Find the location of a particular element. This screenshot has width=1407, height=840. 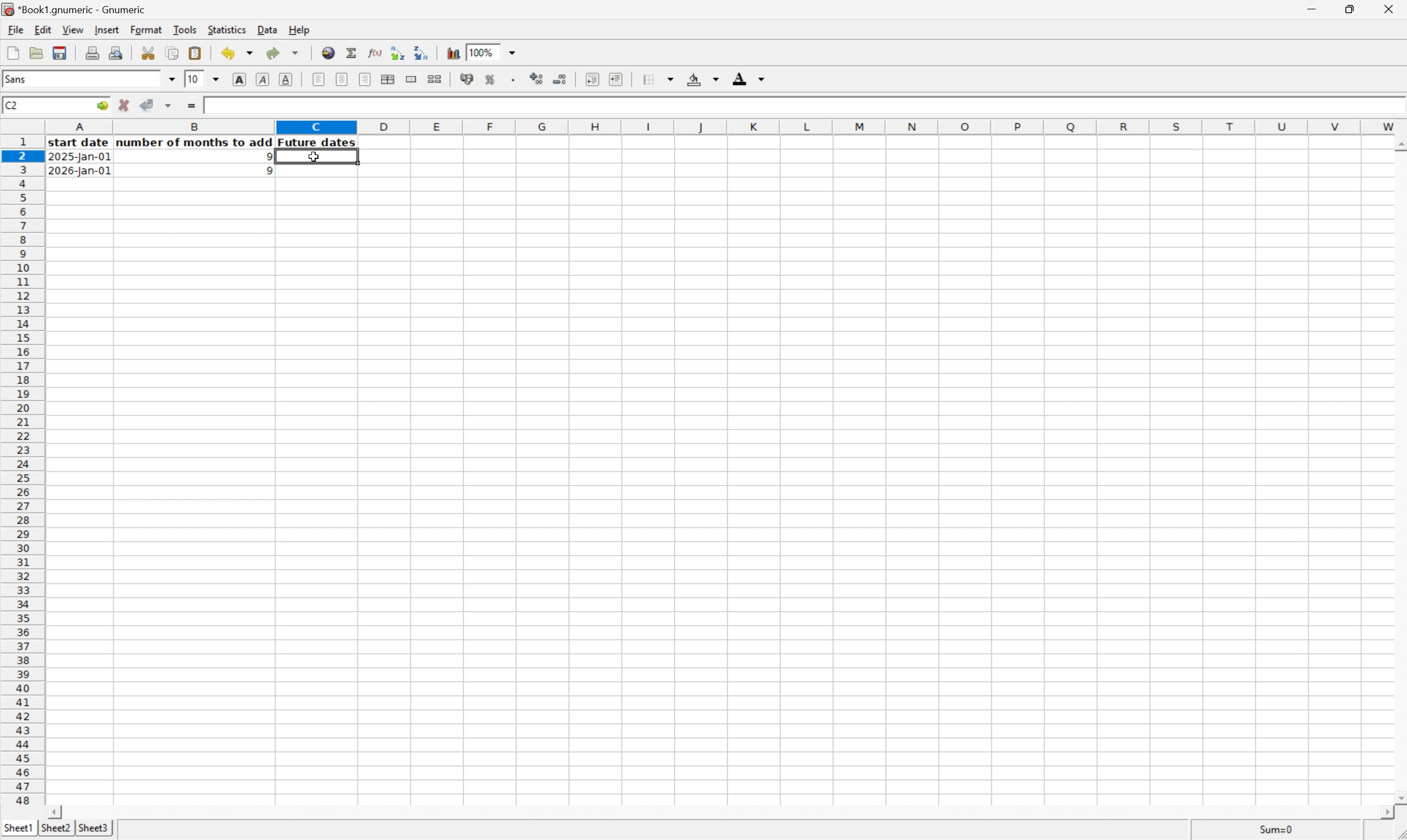

Scroll Down is located at coordinates (1398, 796).